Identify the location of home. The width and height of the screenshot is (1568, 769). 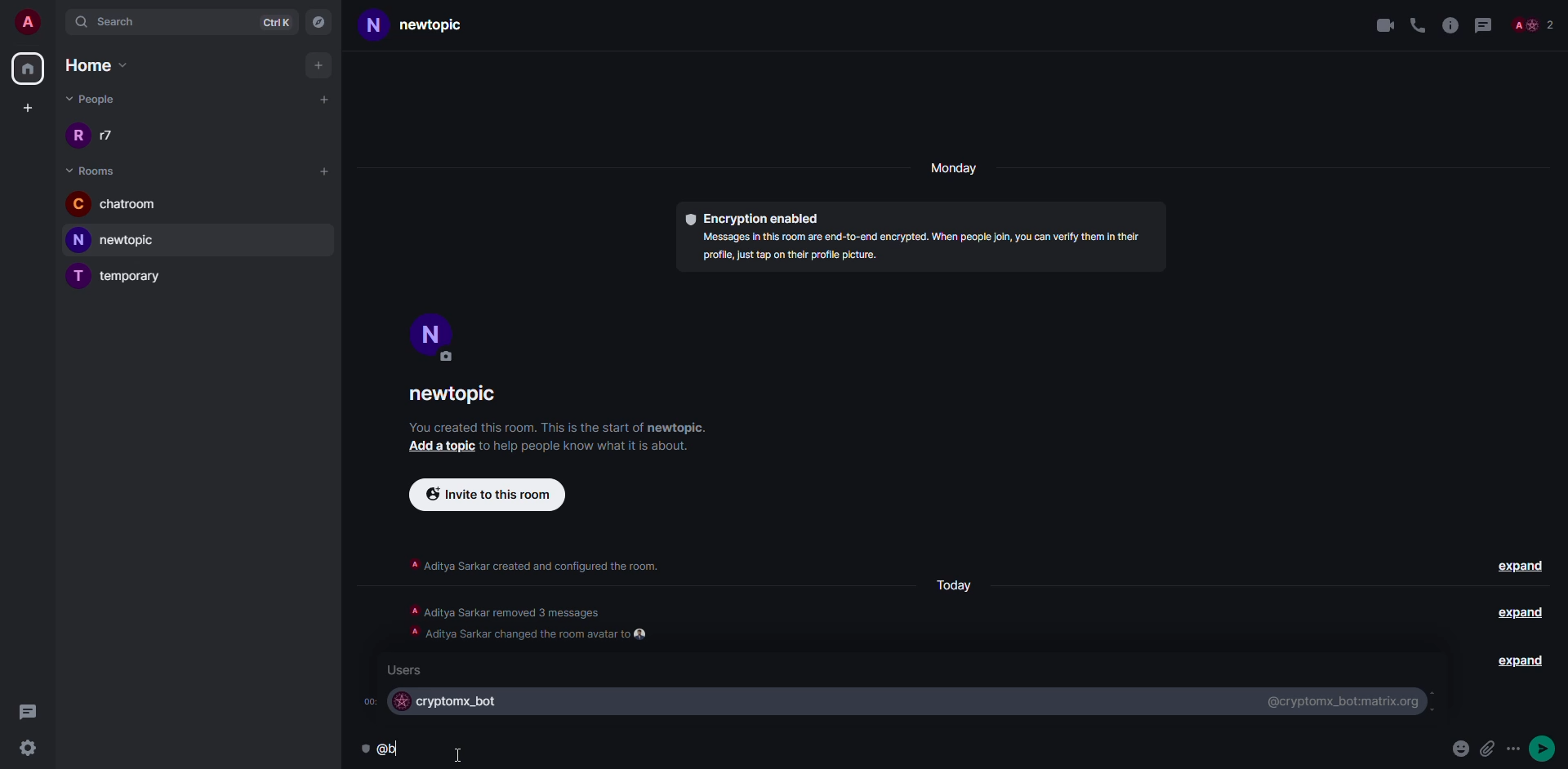
(27, 69).